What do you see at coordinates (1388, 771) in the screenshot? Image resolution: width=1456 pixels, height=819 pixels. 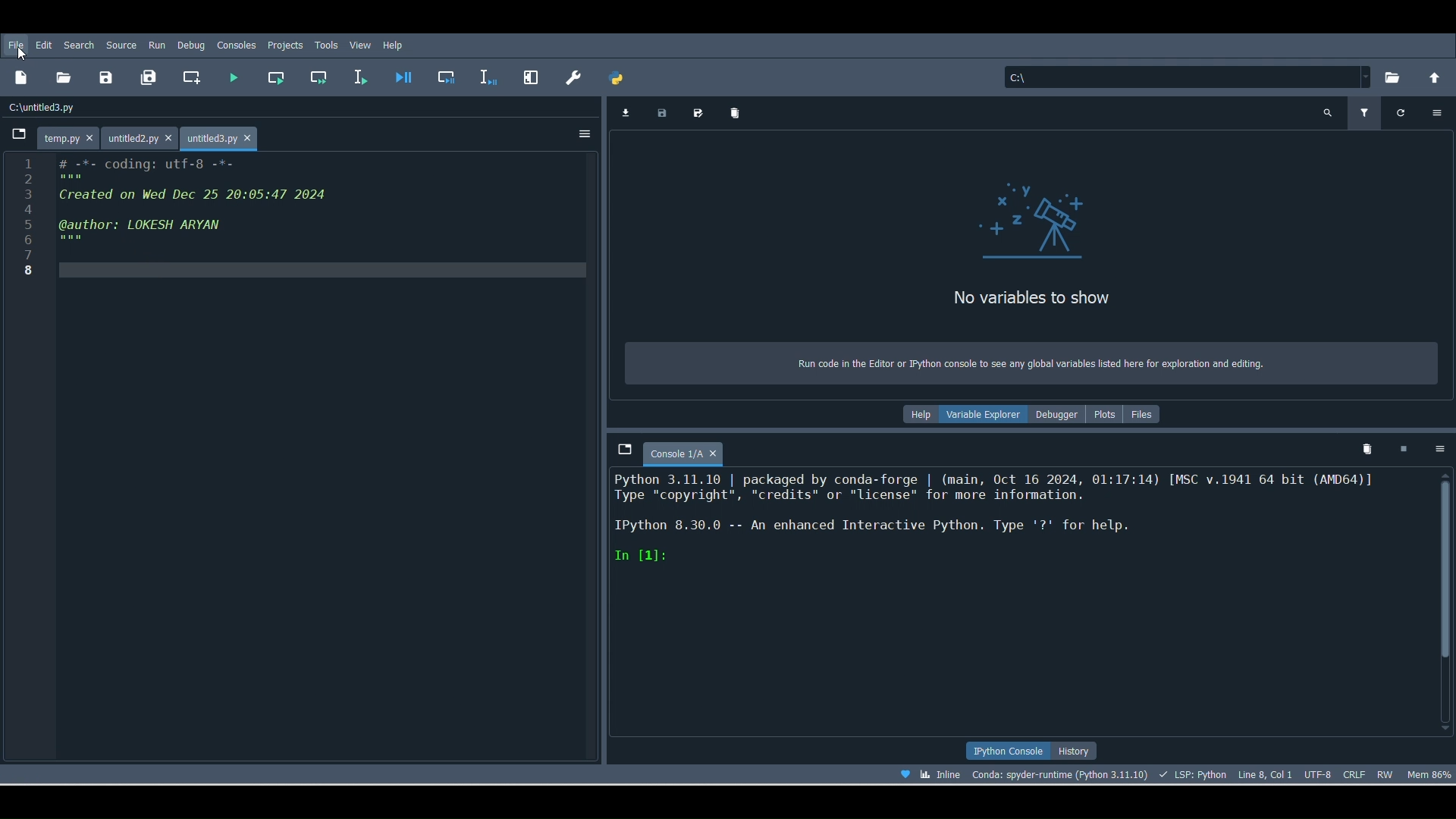 I see `File permissions` at bounding box center [1388, 771].